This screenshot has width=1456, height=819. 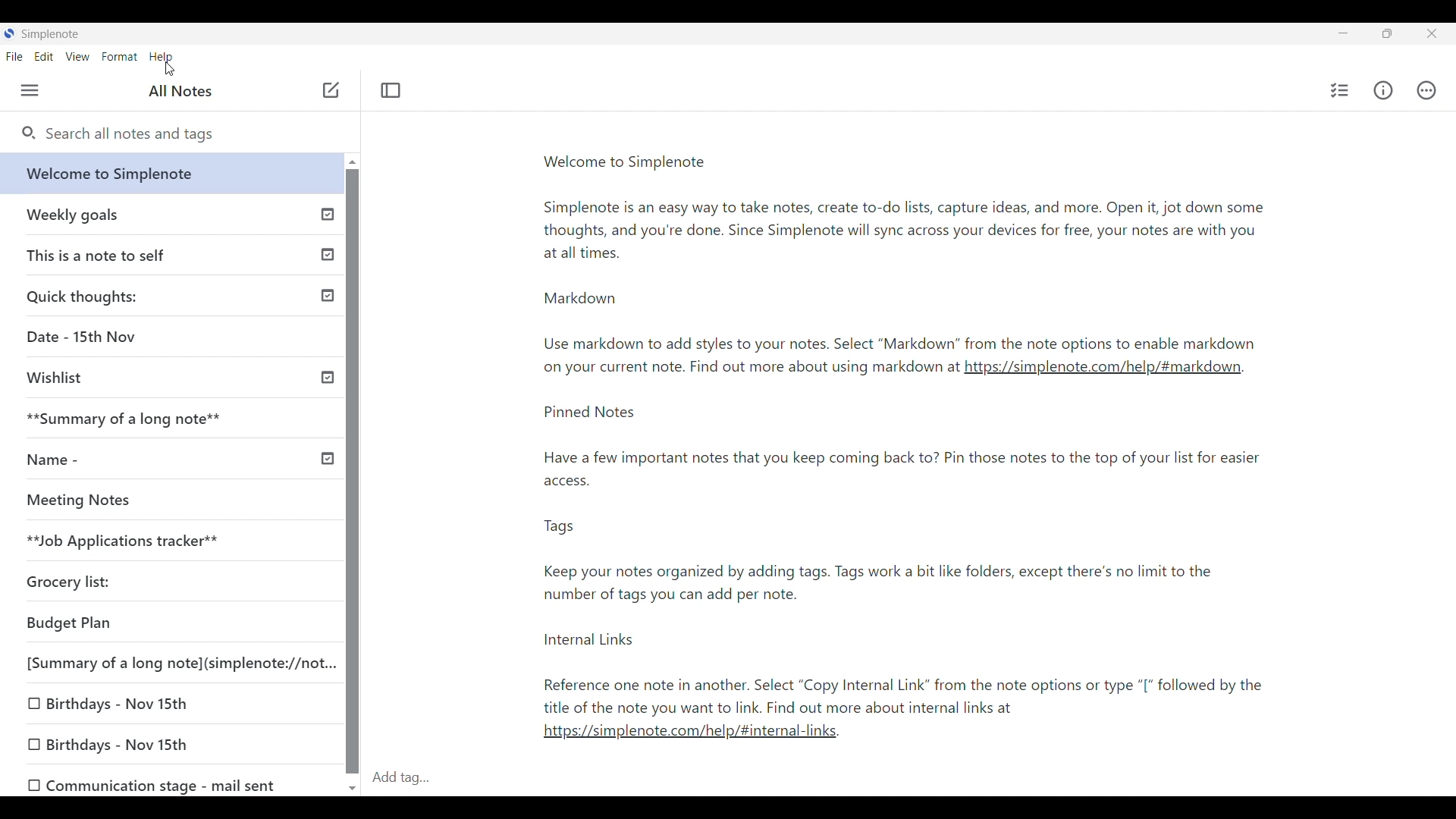 I want to click on Software name, so click(x=49, y=35).